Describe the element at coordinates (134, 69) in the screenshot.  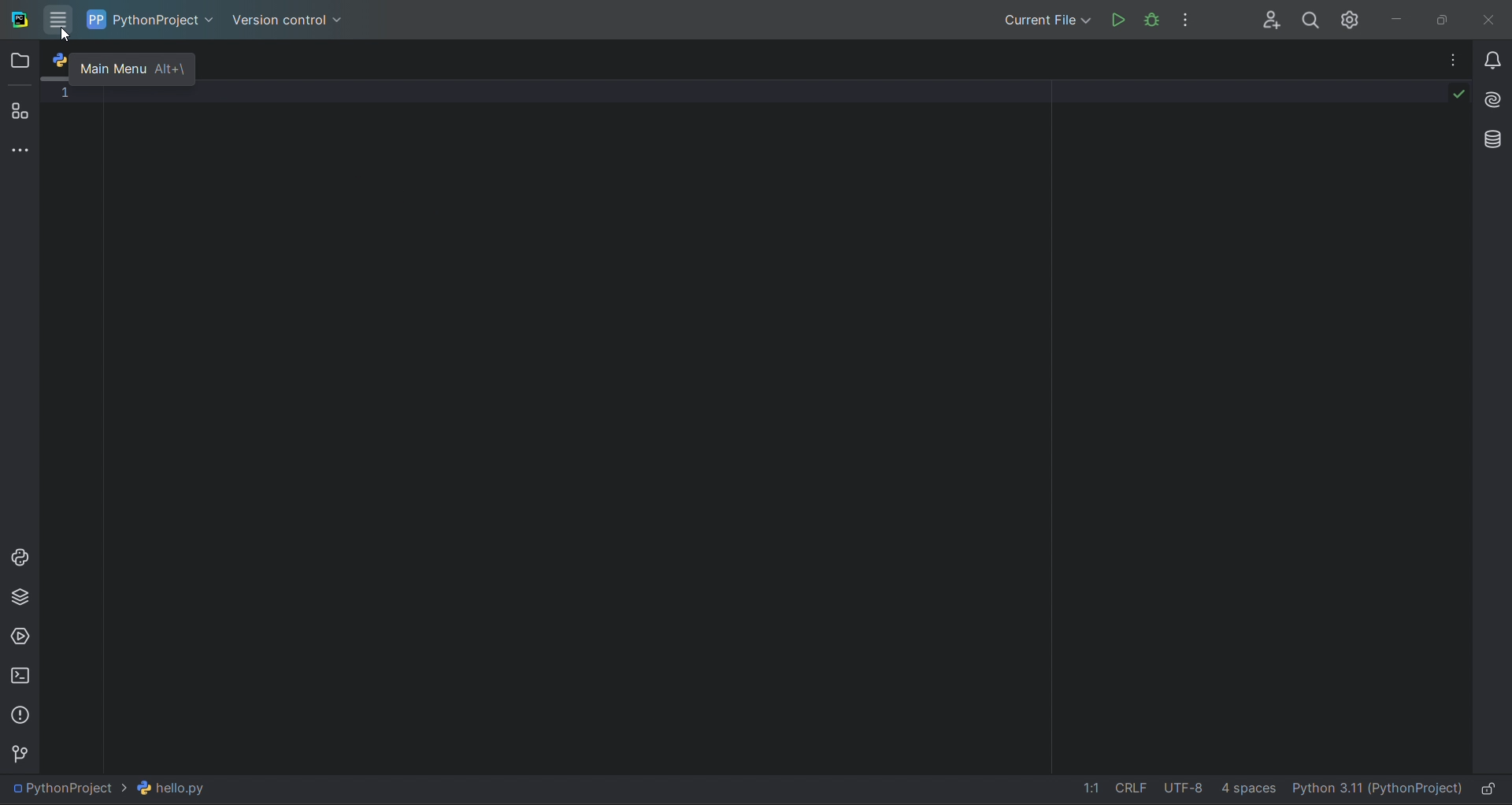
I see `menu tooltip` at that location.